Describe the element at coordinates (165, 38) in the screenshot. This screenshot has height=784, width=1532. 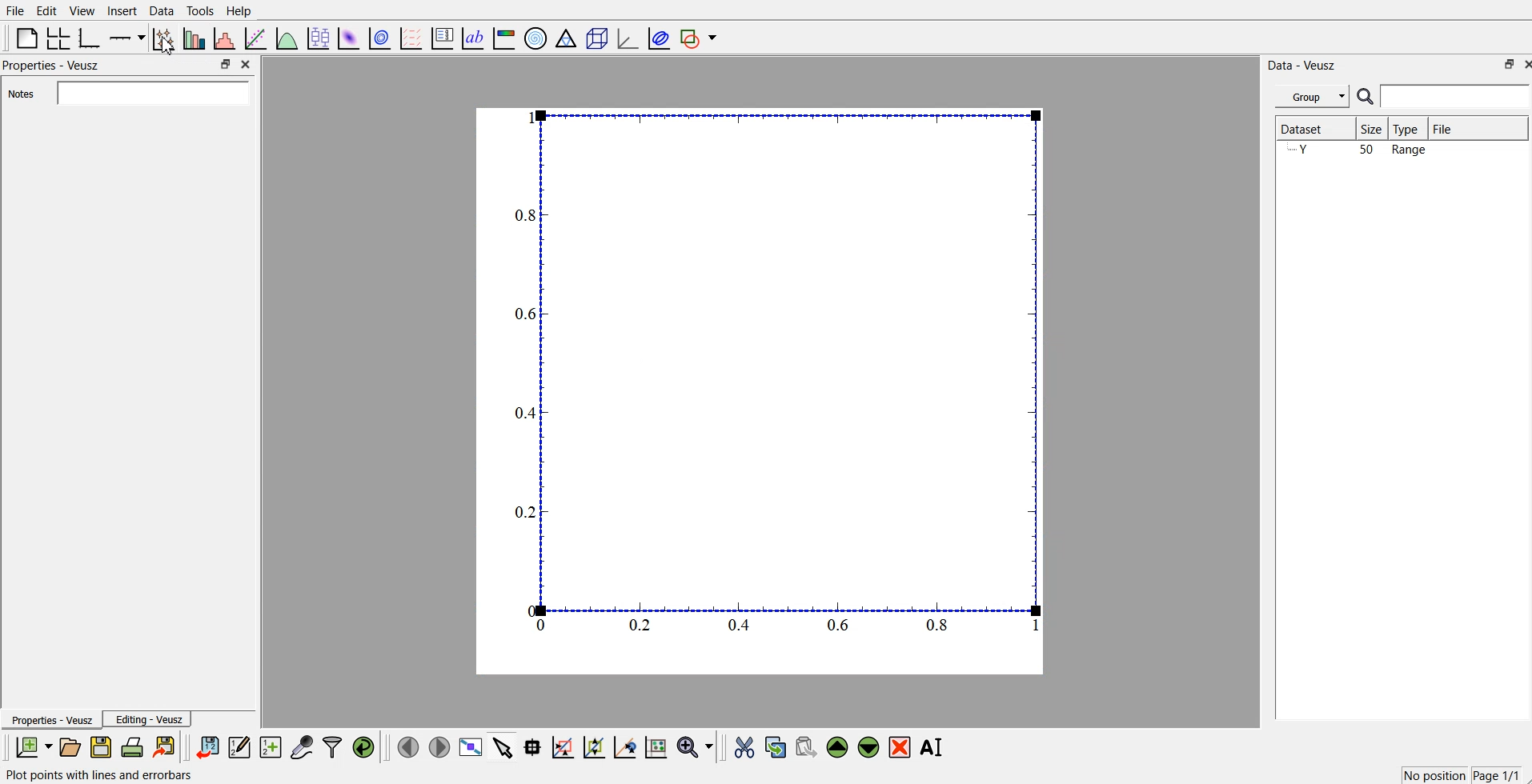
I see `lines and error bars` at that location.